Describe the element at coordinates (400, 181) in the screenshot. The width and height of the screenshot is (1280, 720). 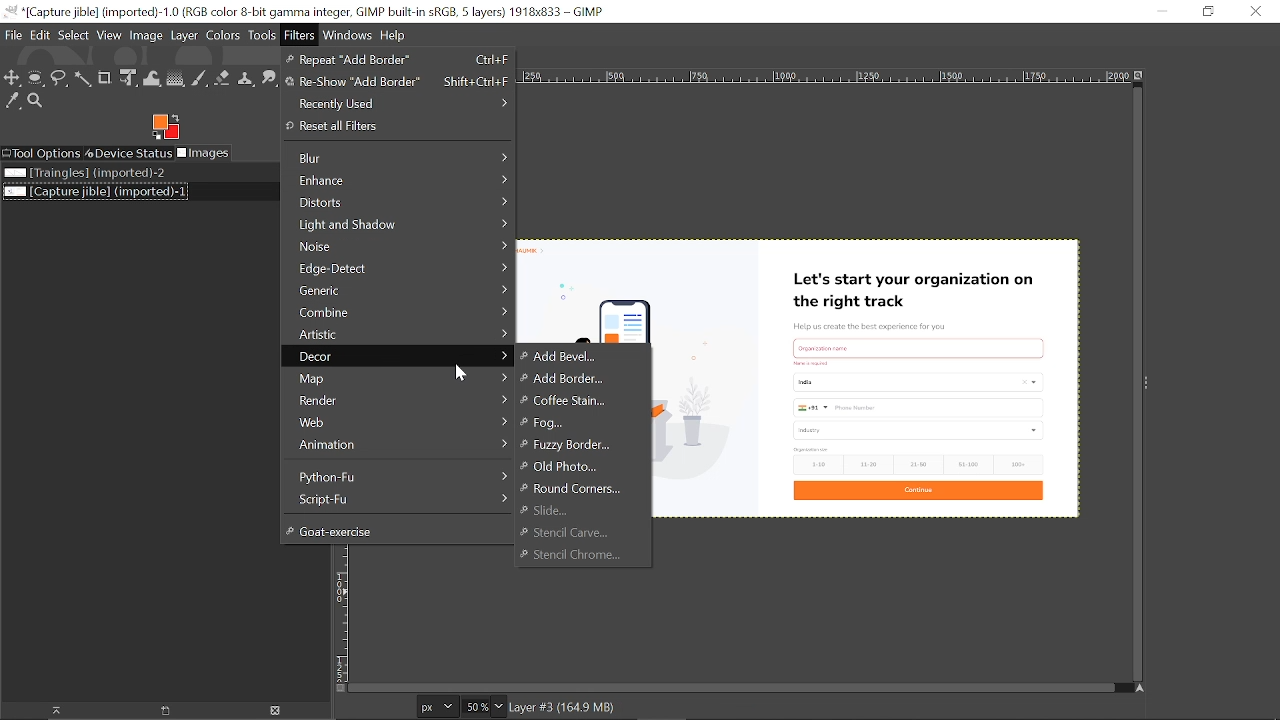
I see `Enhance` at that location.